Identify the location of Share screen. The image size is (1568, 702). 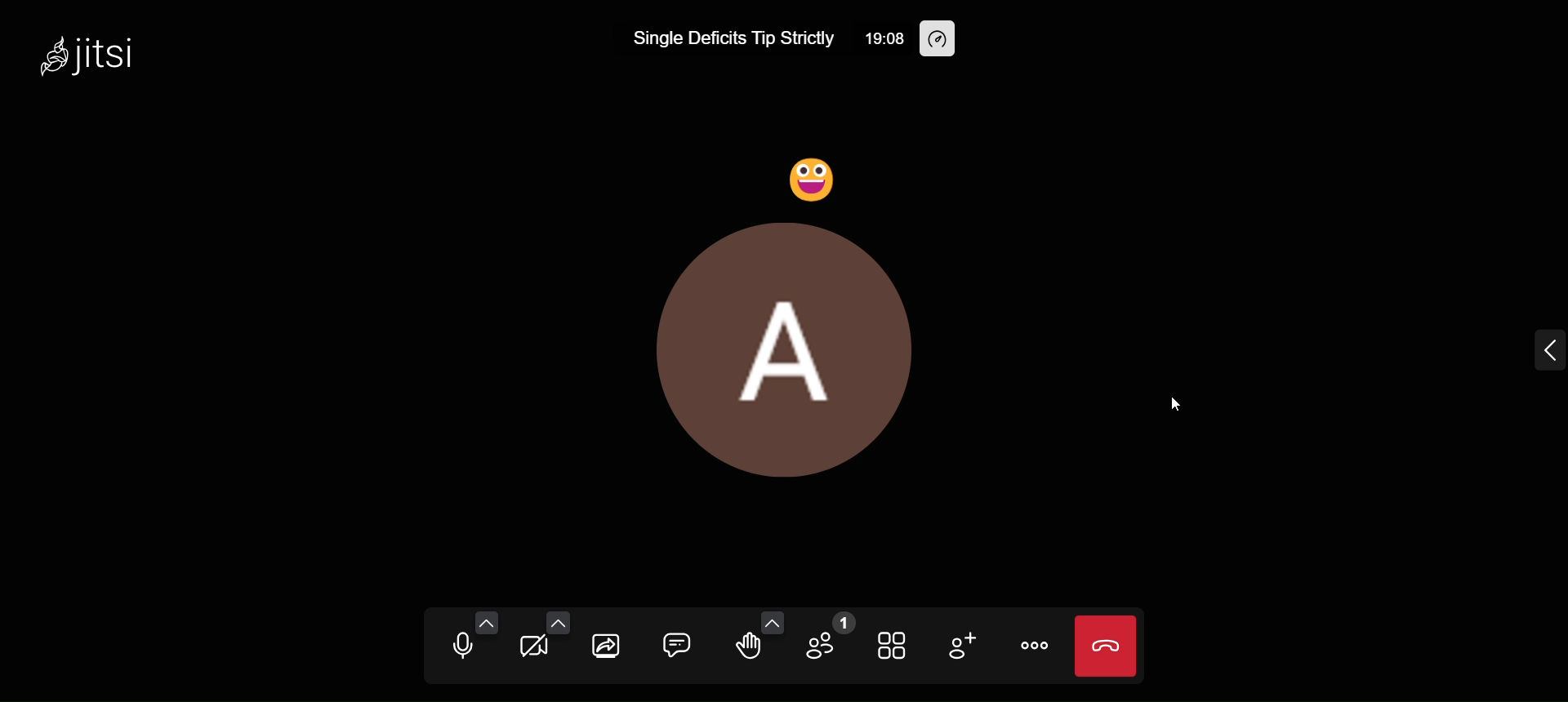
(609, 644).